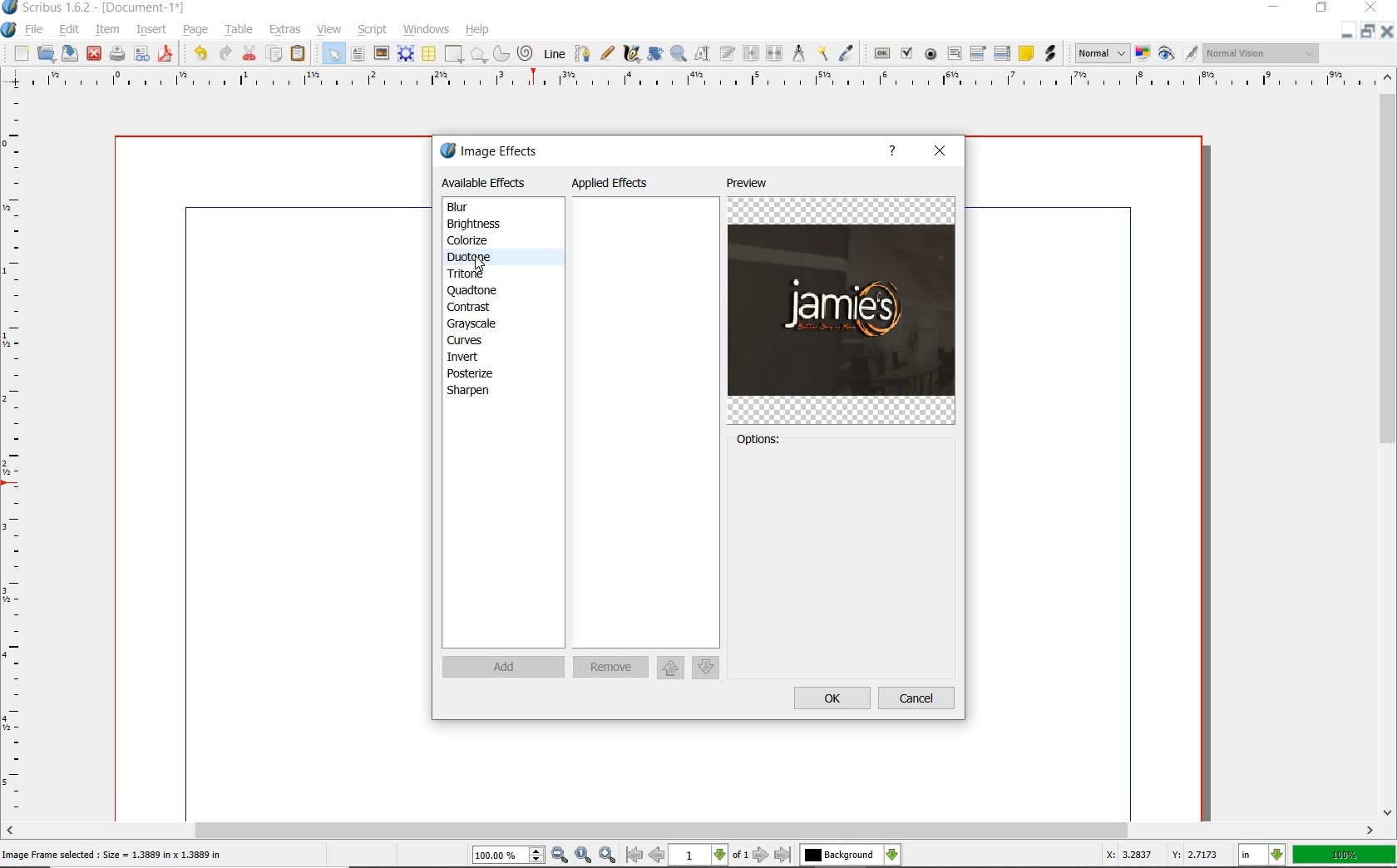 This screenshot has height=868, width=1397. I want to click on close, so click(96, 52).